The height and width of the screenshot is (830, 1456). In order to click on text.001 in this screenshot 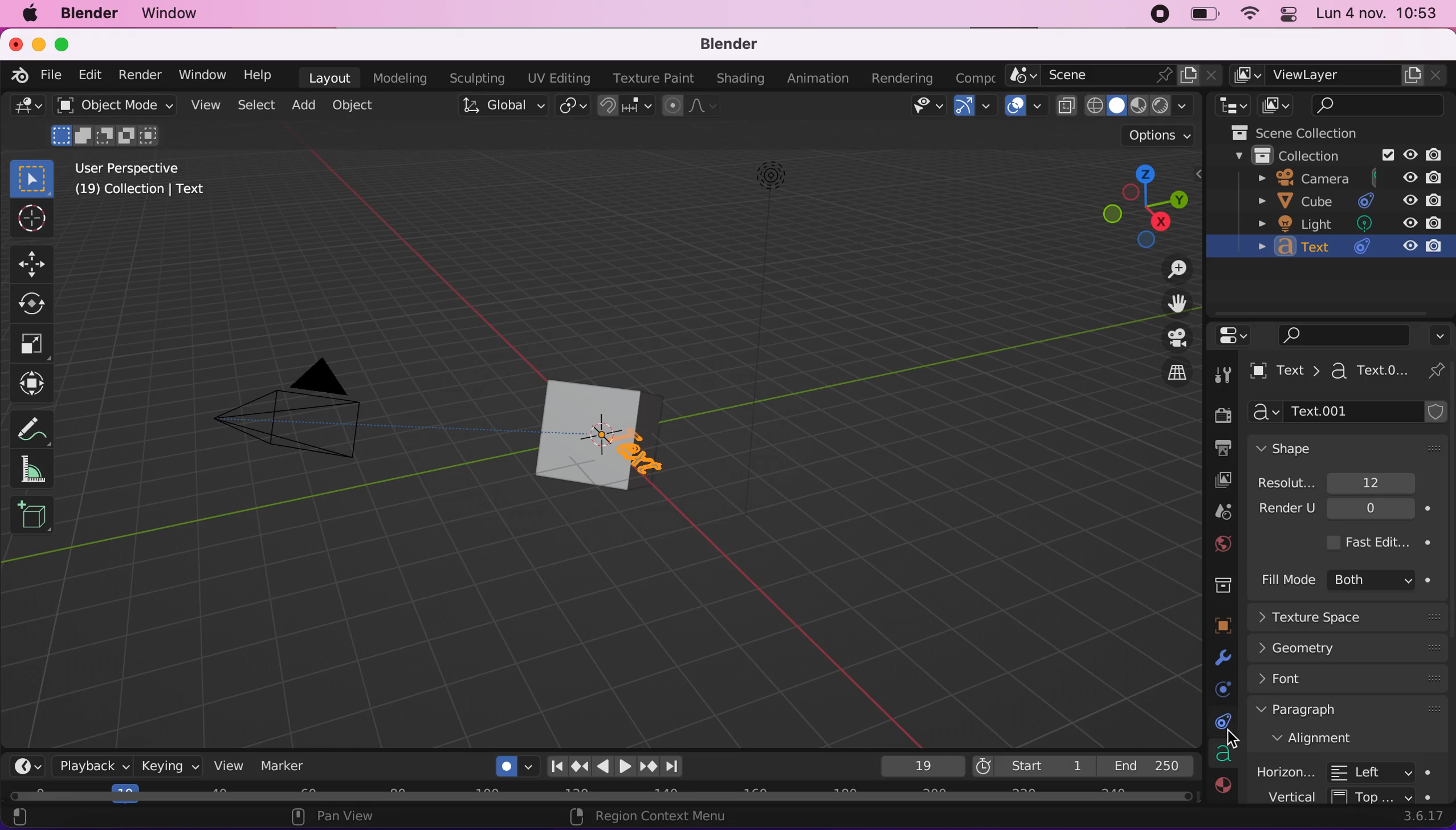, I will do `click(1353, 412)`.